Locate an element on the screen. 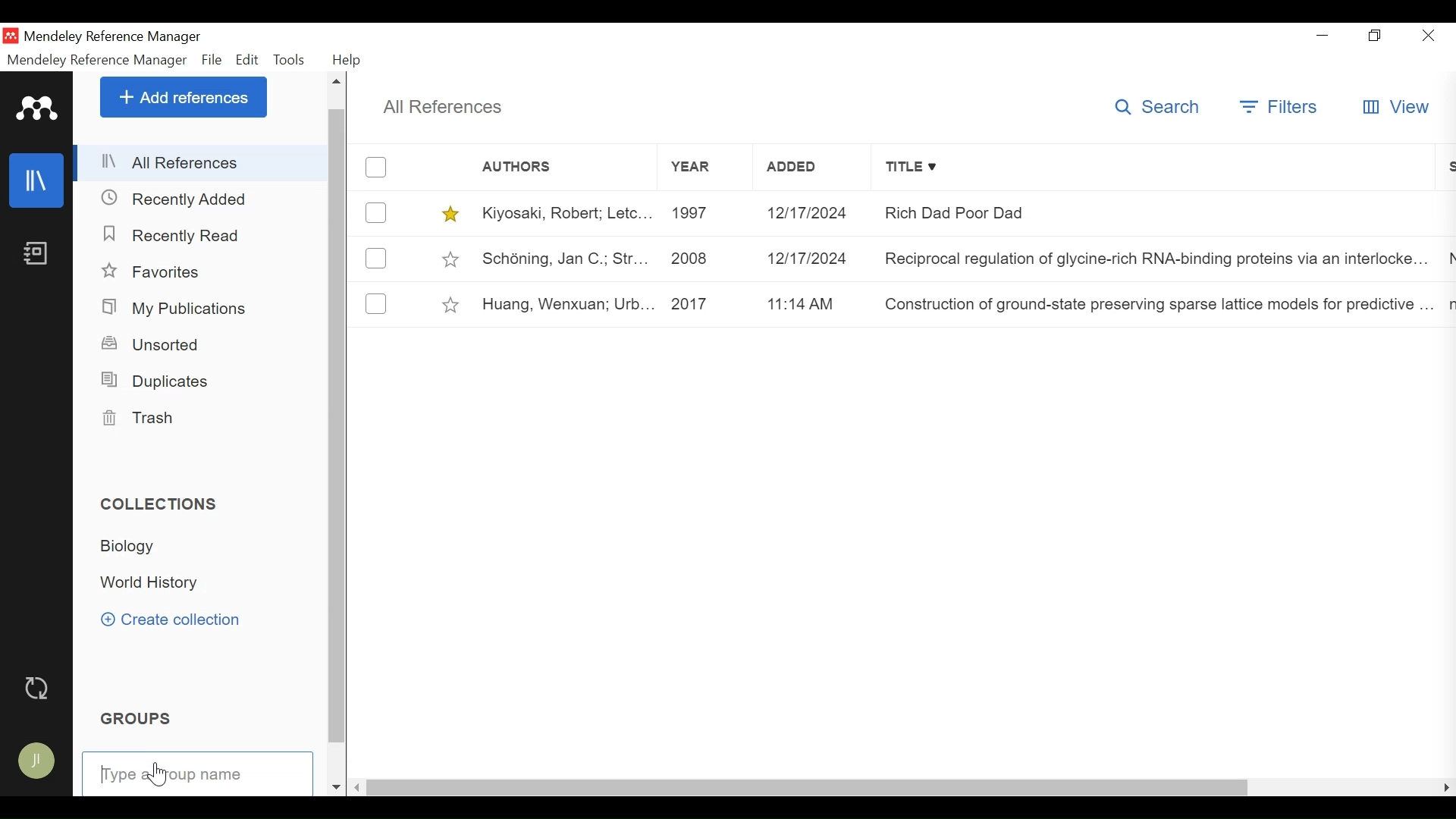 The image size is (1456, 819). Schéning, Jan C.; Str... is located at coordinates (566, 257).